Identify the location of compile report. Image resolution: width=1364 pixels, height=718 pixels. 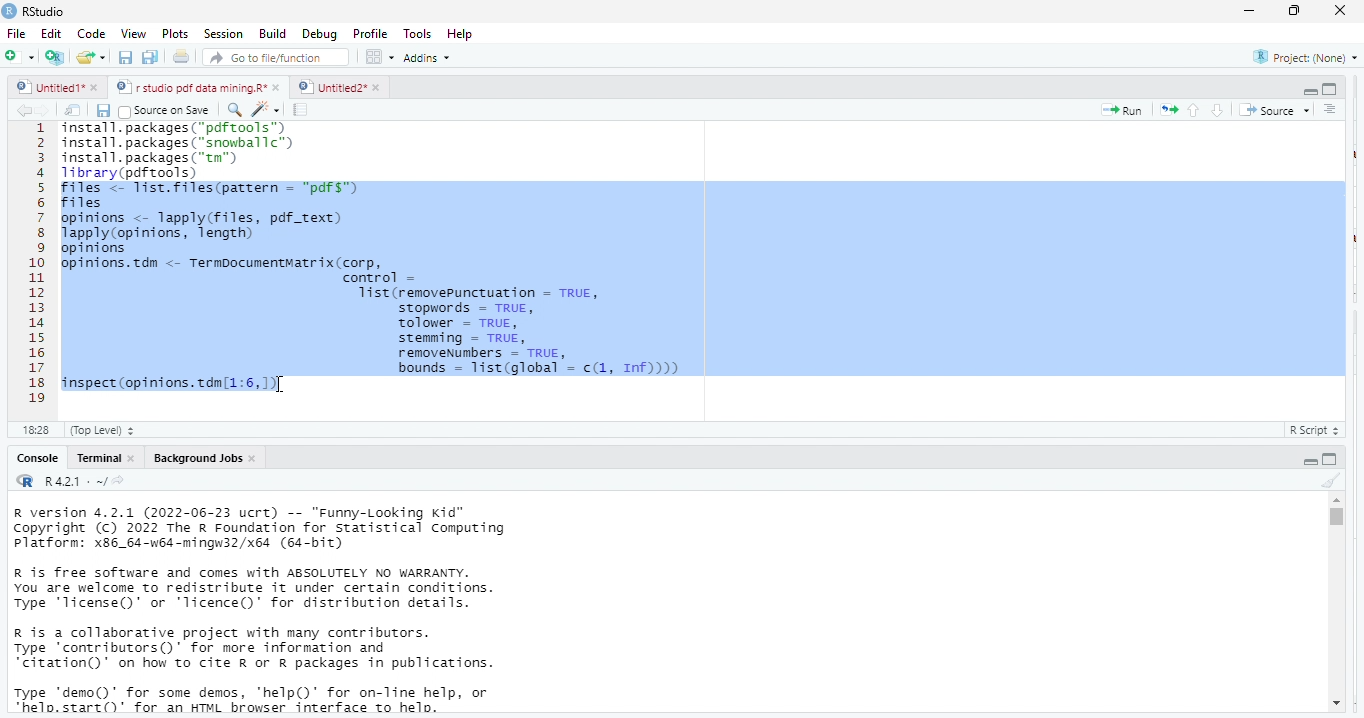
(303, 110).